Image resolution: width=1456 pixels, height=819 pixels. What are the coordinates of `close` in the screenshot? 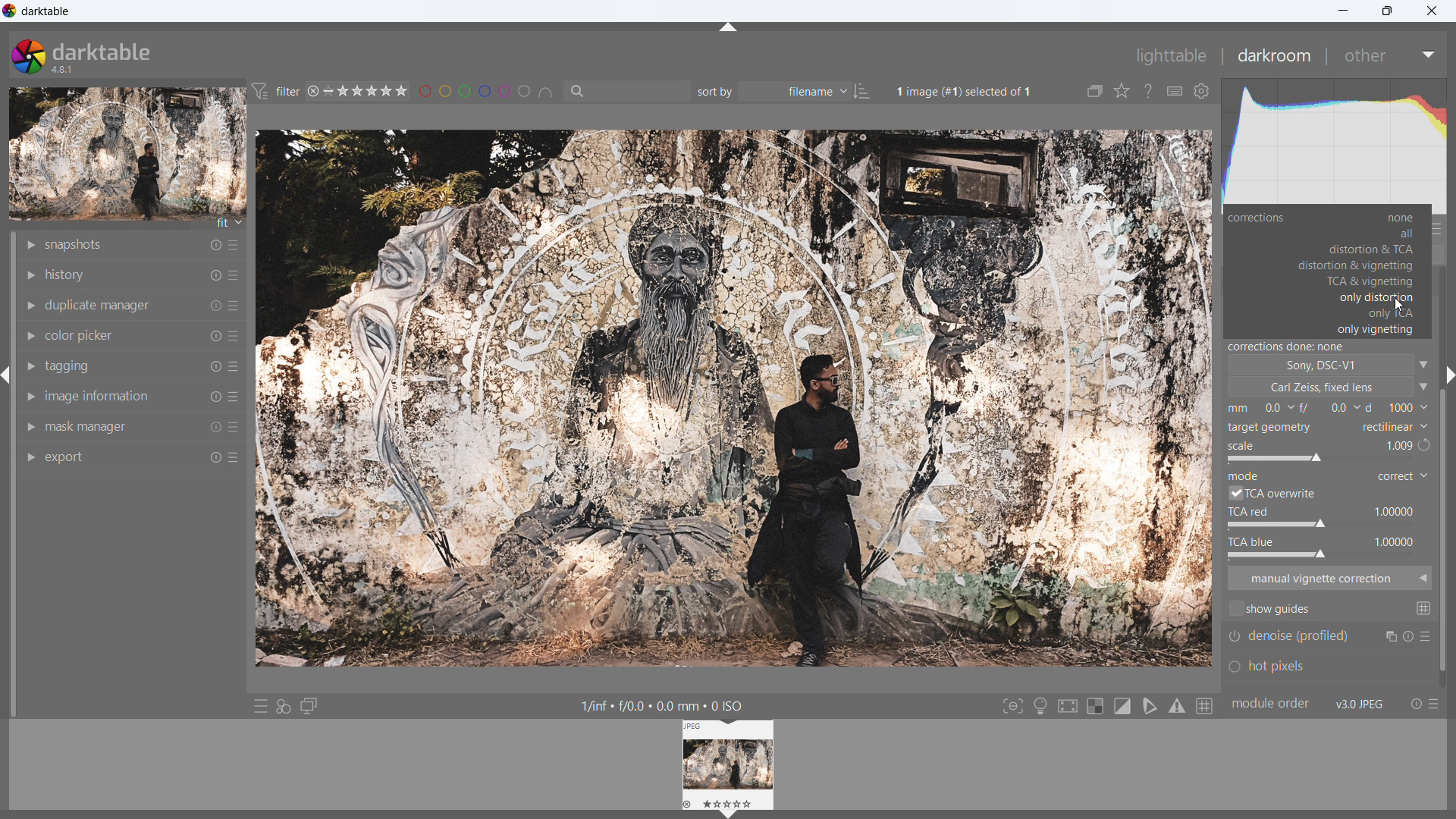 It's located at (1431, 11).